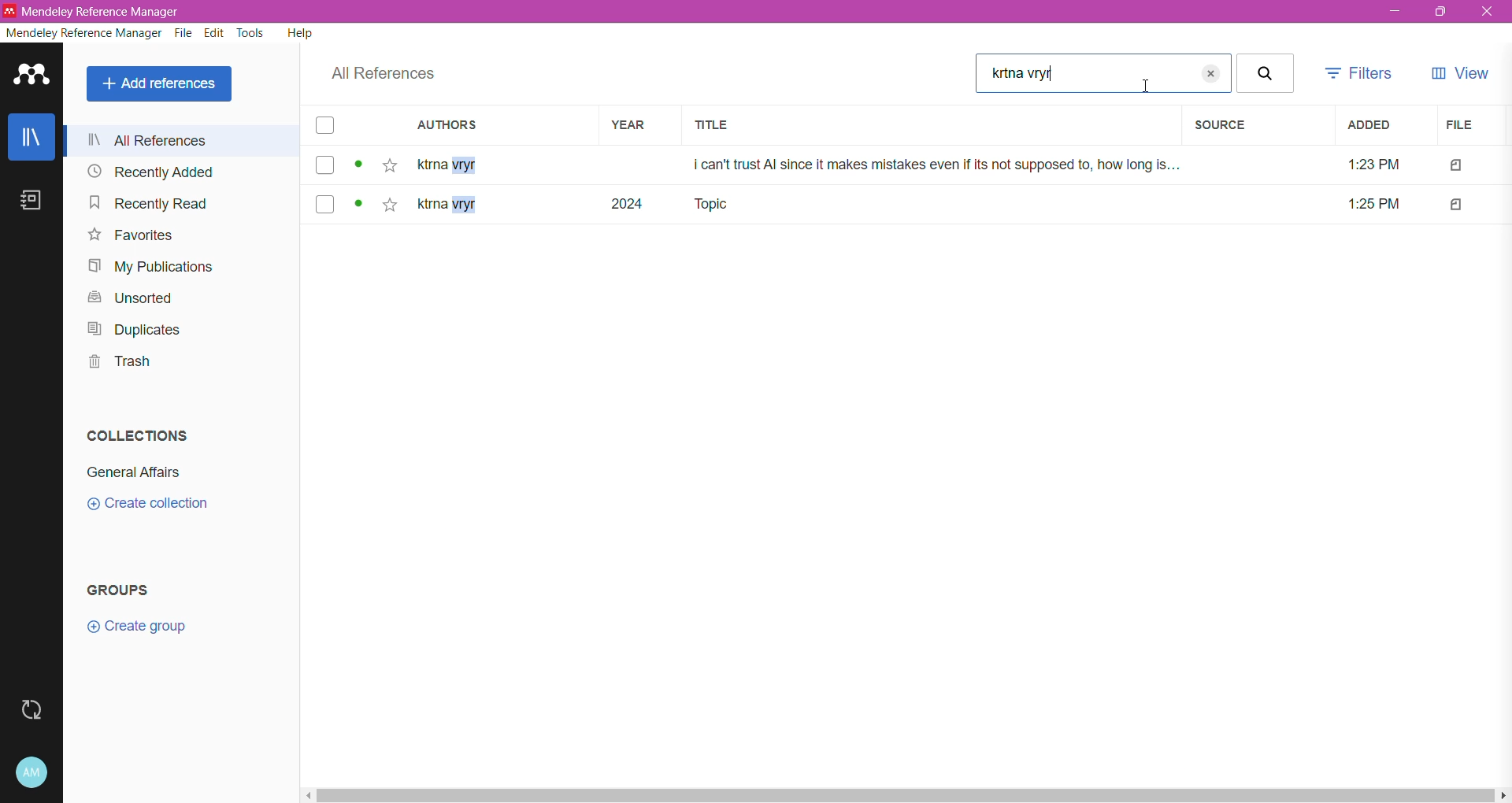  I want to click on select file, so click(322, 166).